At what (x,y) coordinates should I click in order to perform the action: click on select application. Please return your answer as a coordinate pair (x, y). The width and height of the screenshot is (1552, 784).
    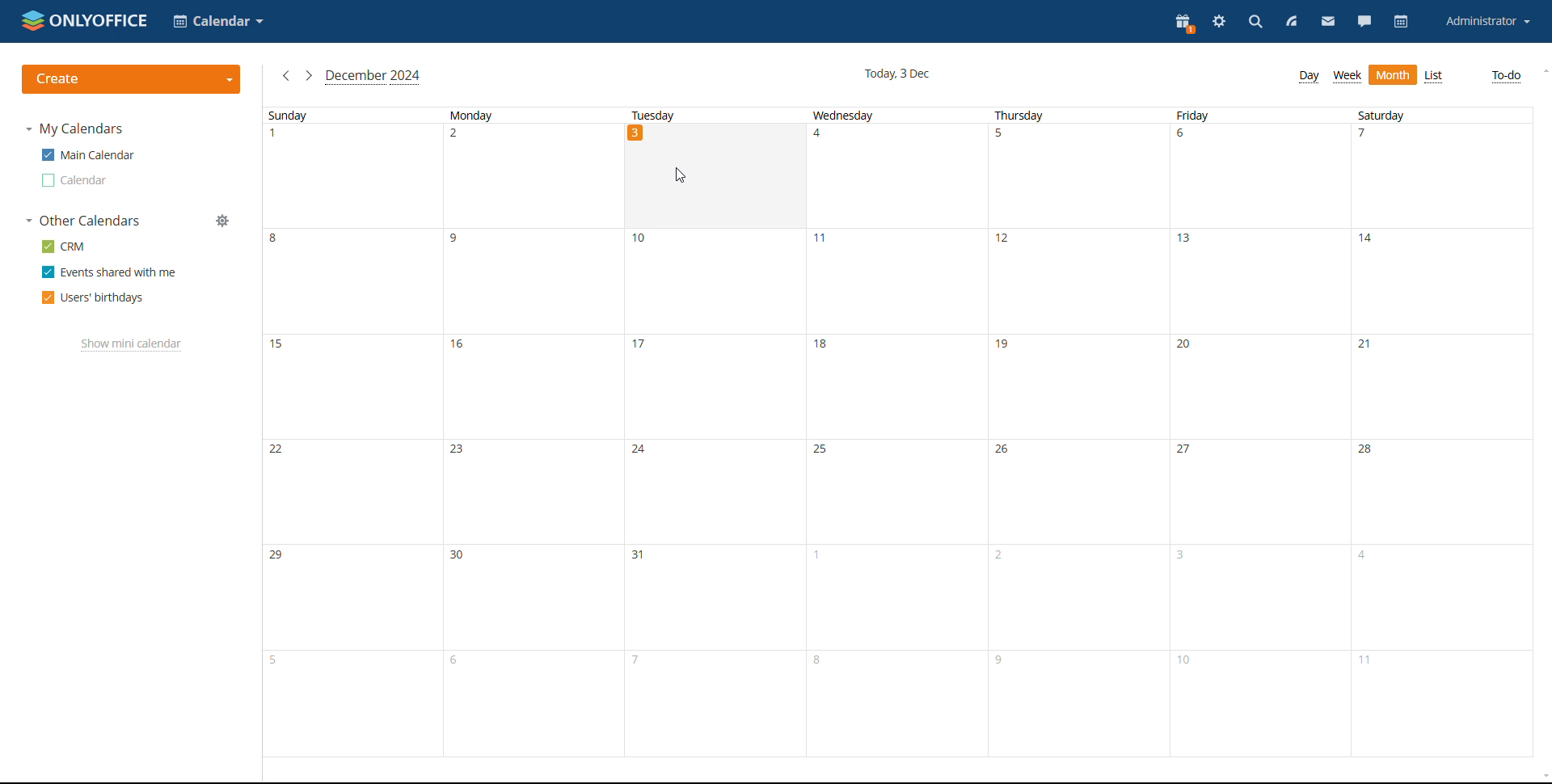
    Looking at the image, I should click on (217, 21).